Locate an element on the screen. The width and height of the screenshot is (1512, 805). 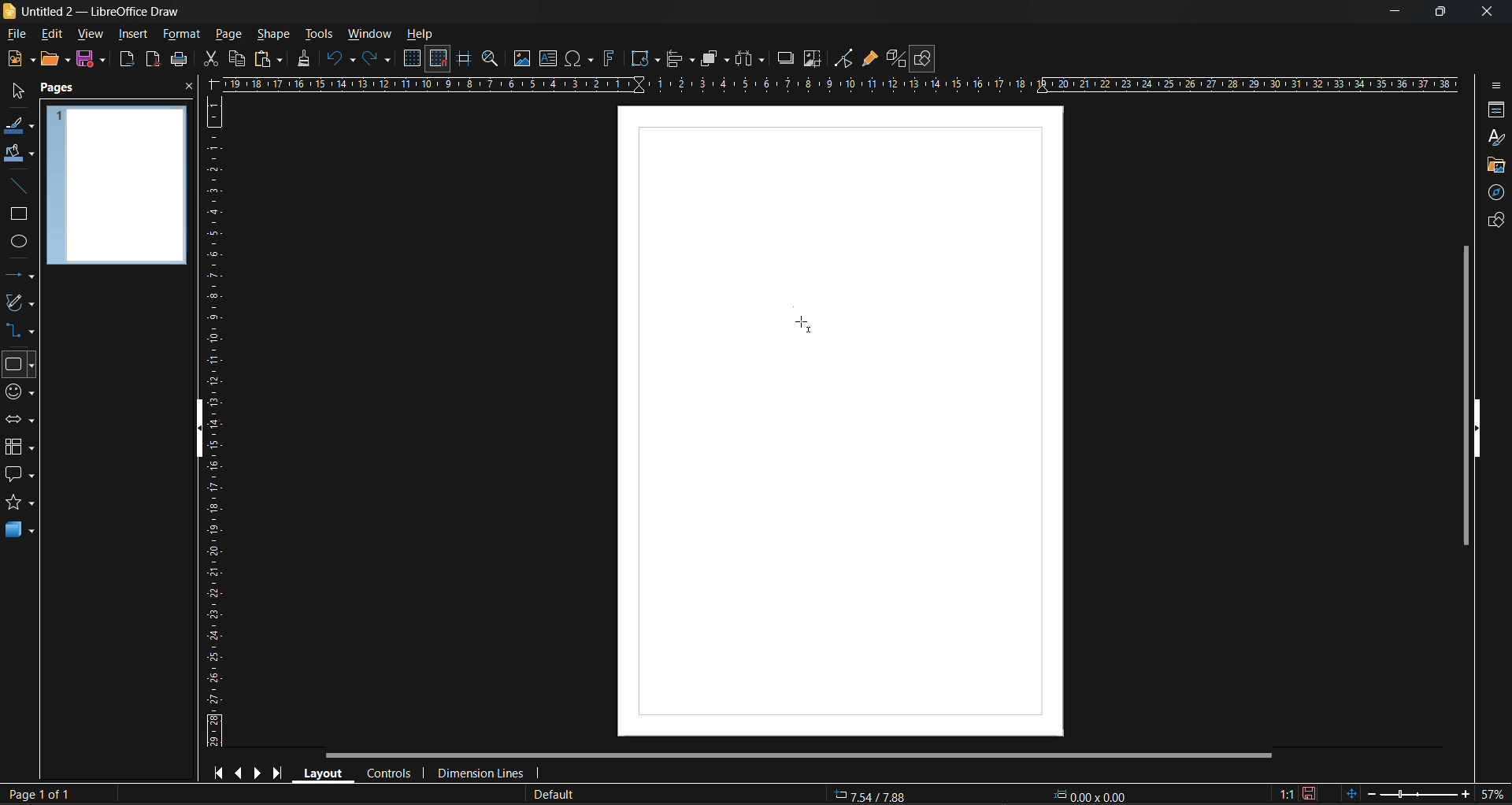
fill color is located at coordinates (20, 153).